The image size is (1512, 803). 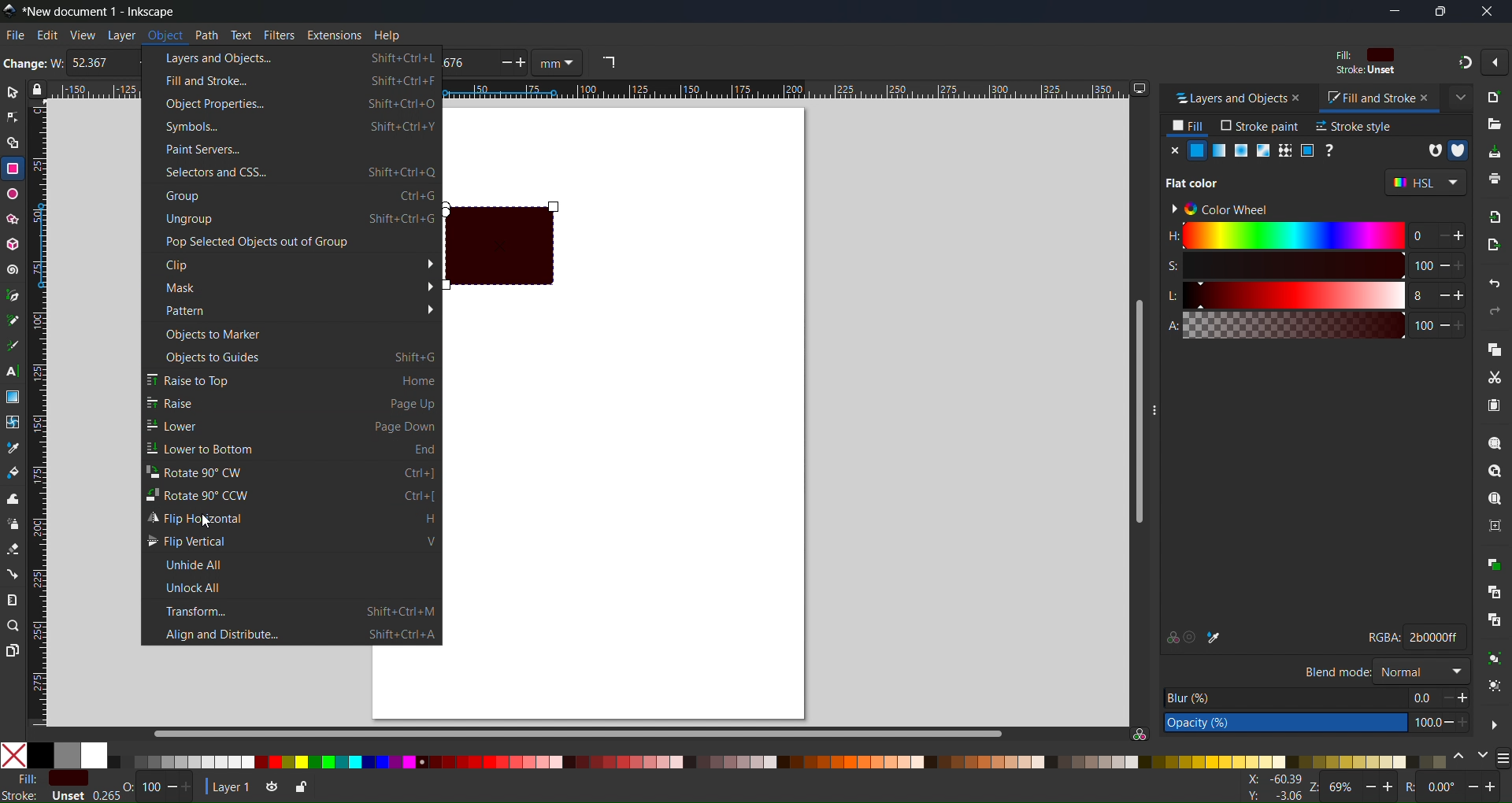 I want to click on Preferences, so click(x=1495, y=723).